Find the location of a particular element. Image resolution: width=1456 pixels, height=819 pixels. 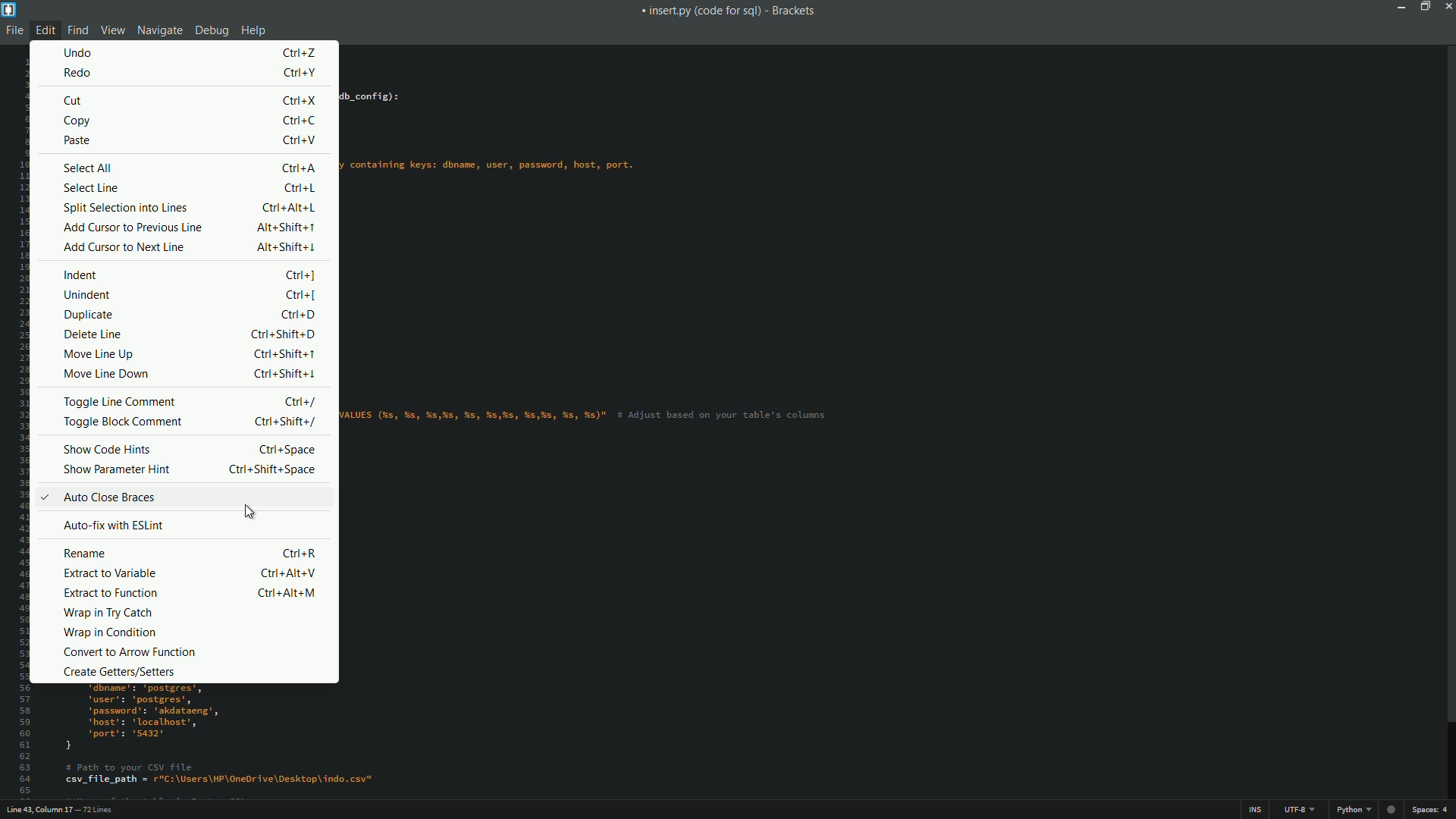

paste is located at coordinates (76, 142).